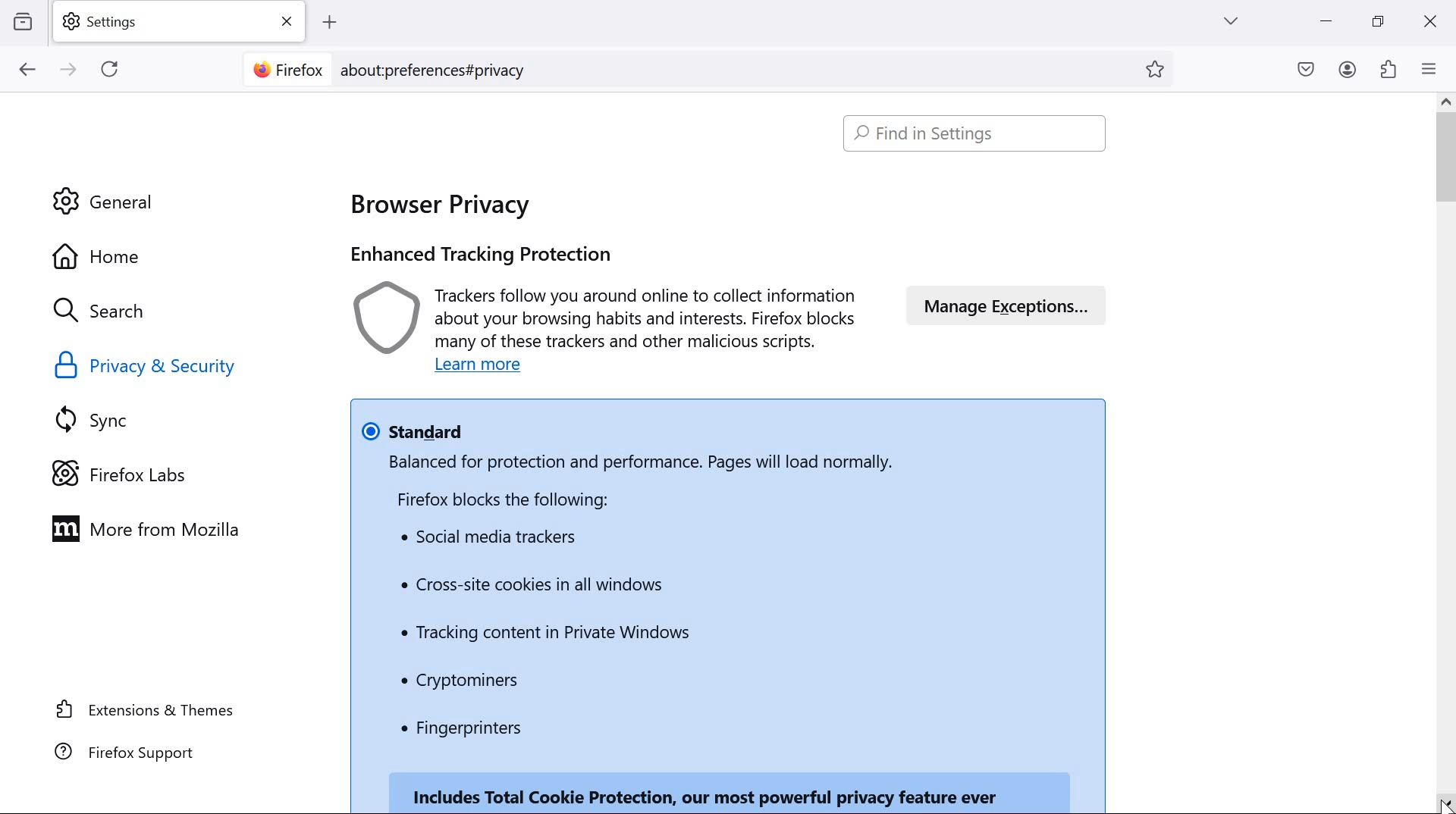 This screenshot has height=814, width=1456. I want to click on Firefox, so click(287, 67).